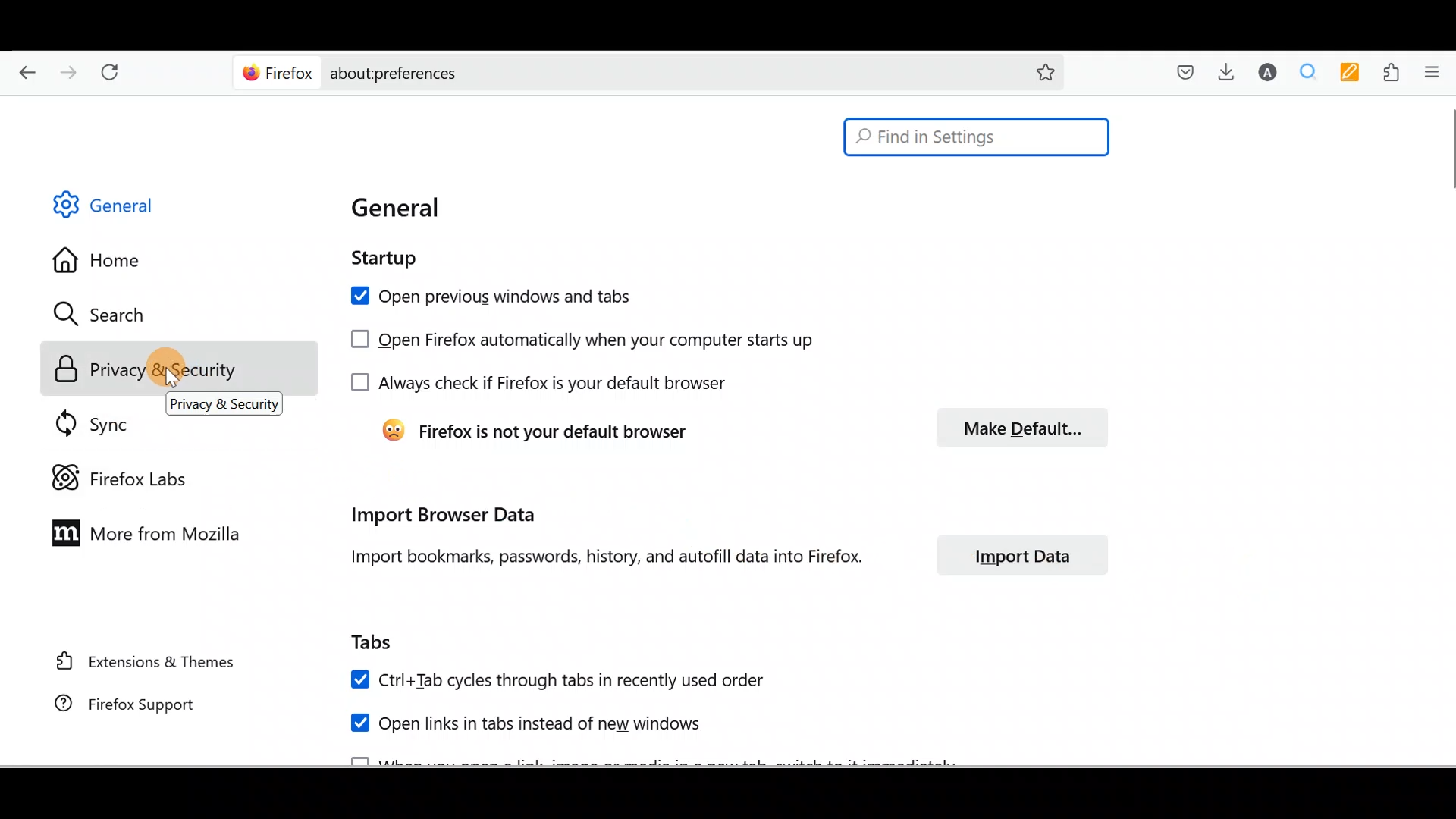  What do you see at coordinates (1188, 71) in the screenshot?
I see `Save to pocket` at bounding box center [1188, 71].